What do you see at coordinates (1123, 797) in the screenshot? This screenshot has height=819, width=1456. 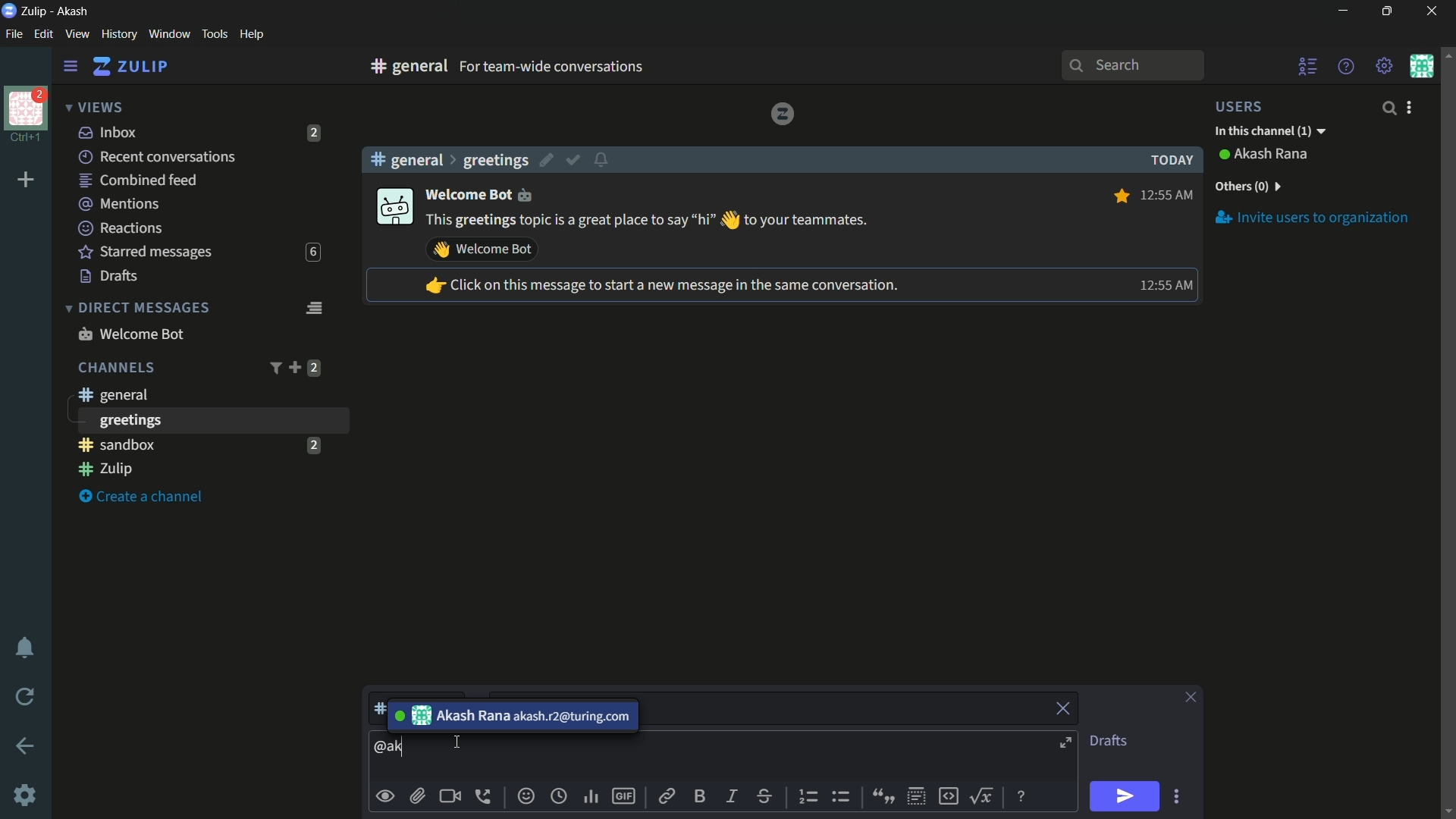 I see `send` at bounding box center [1123, 797].